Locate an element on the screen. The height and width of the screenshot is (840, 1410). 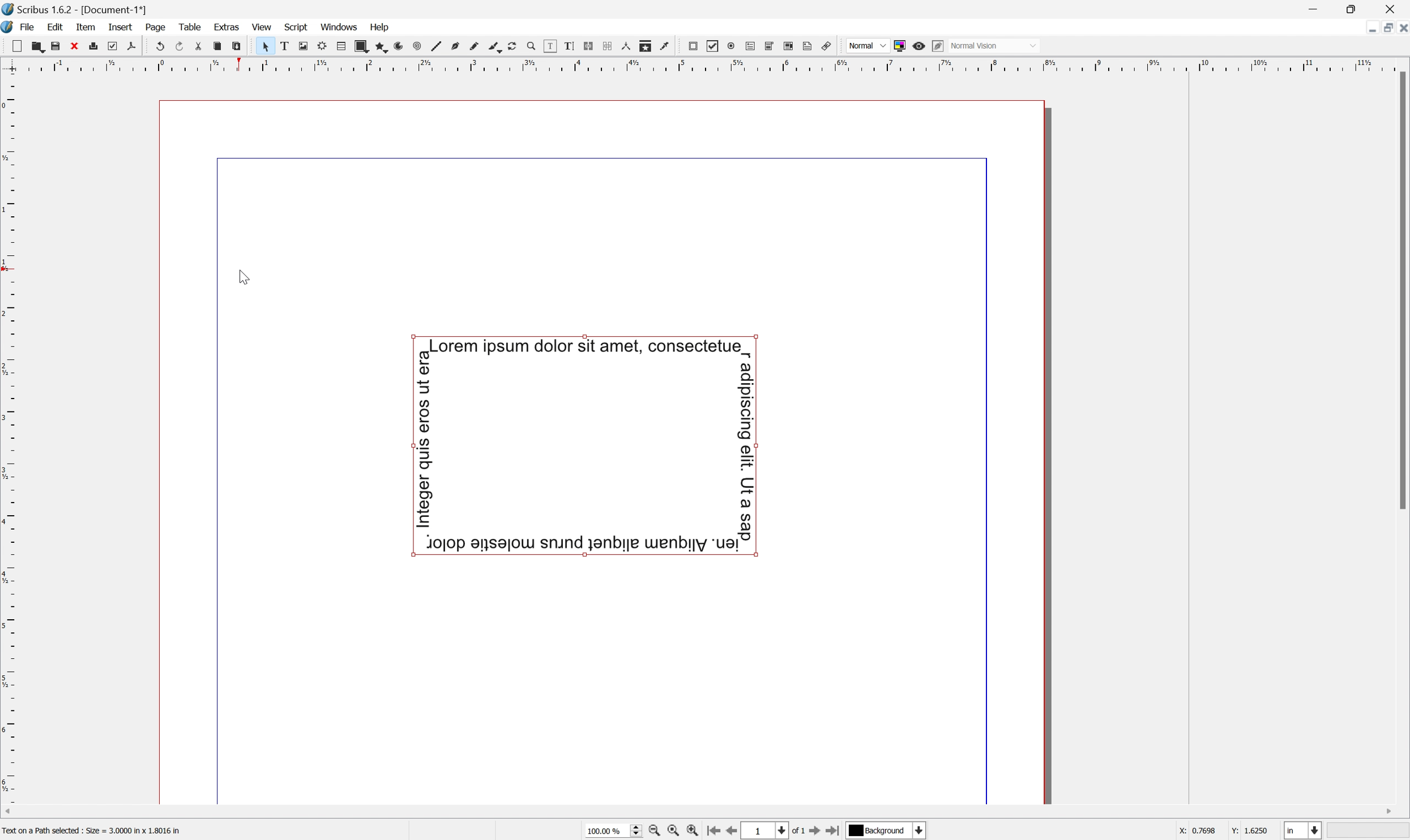
PDF radio button is located at coordinates (730, 46).